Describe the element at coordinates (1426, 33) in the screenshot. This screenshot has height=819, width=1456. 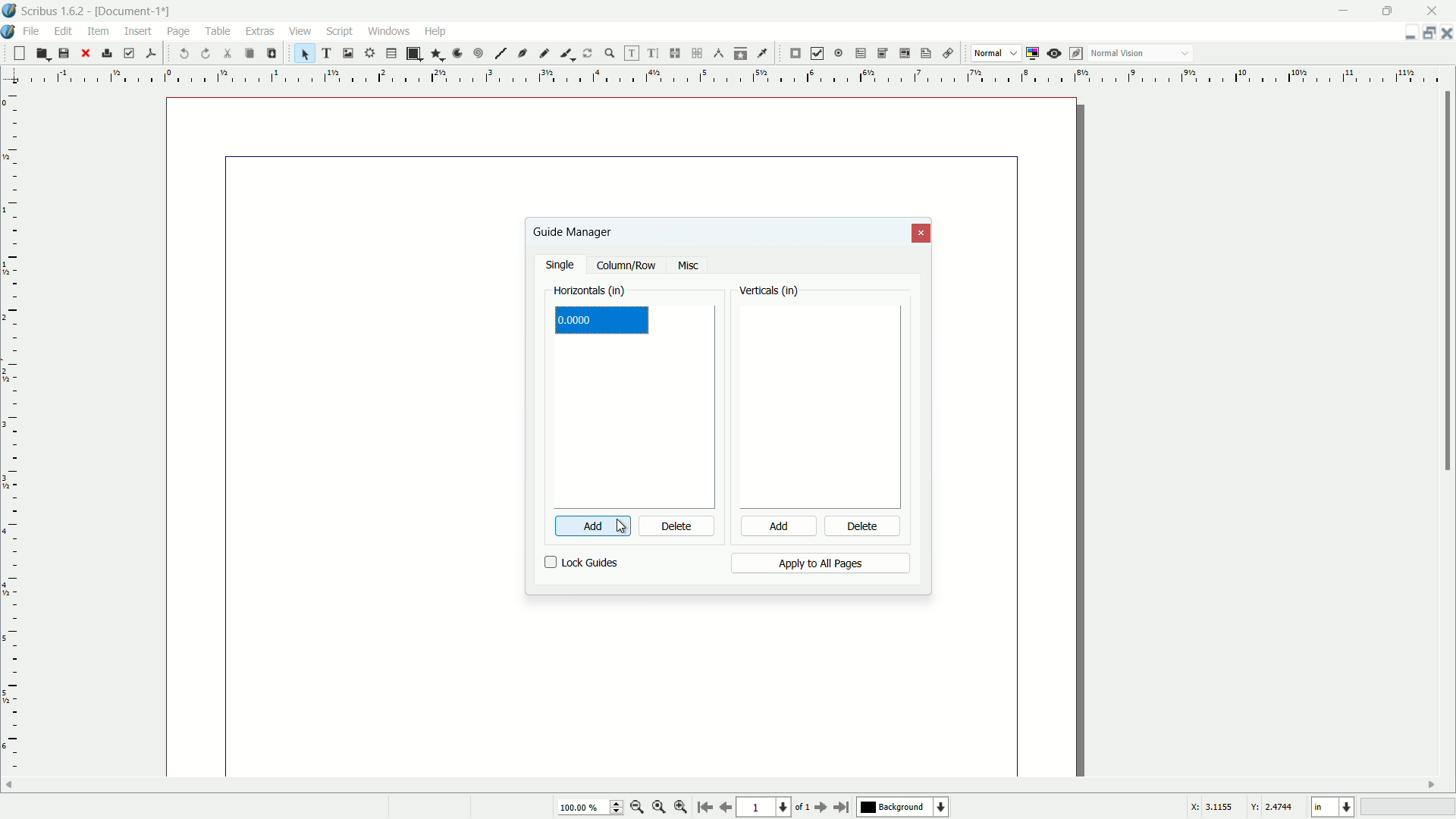
I see `change layout` at that location.